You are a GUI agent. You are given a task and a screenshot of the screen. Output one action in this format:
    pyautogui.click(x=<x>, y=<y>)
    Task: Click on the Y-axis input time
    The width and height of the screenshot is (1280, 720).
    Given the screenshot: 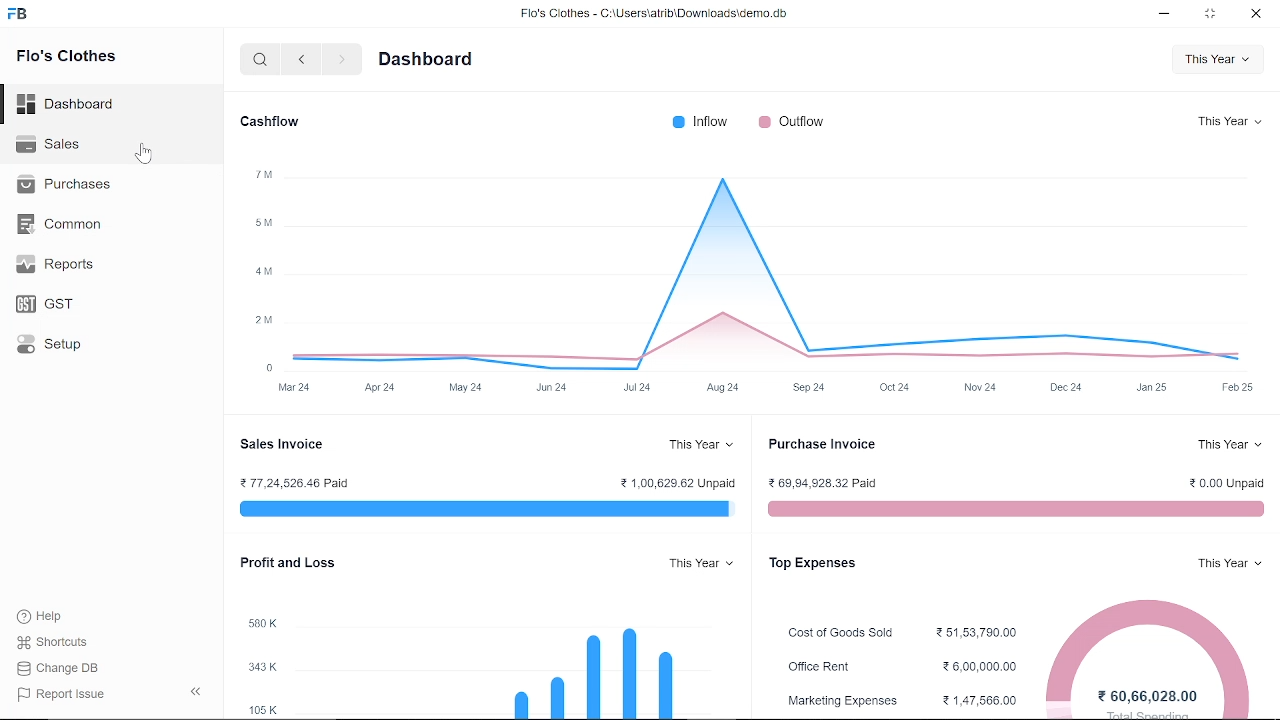 What is the action you would take?
    pyautogui.click(x=758, y=390)
    